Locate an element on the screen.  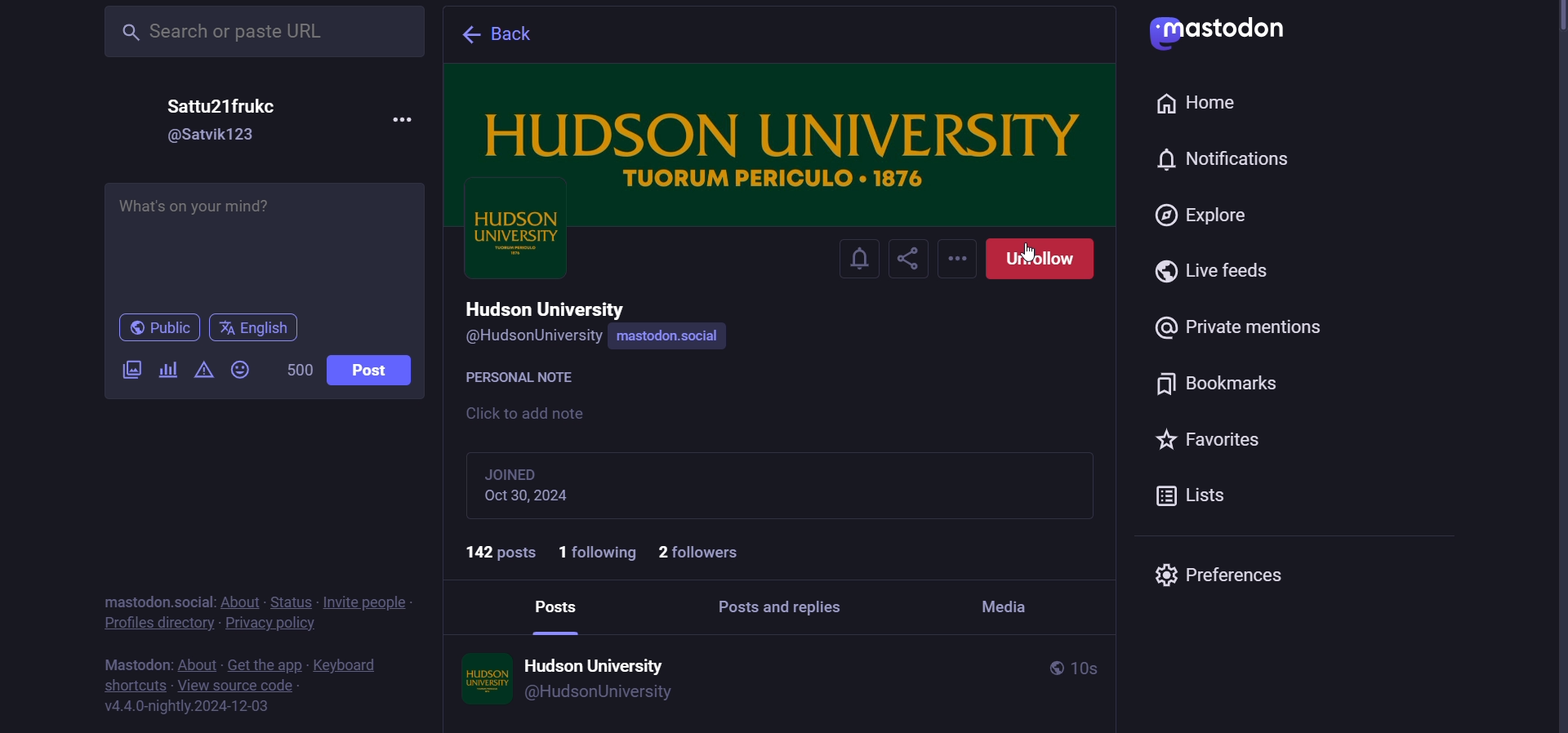
display picture is located at coordinates (514, 242).